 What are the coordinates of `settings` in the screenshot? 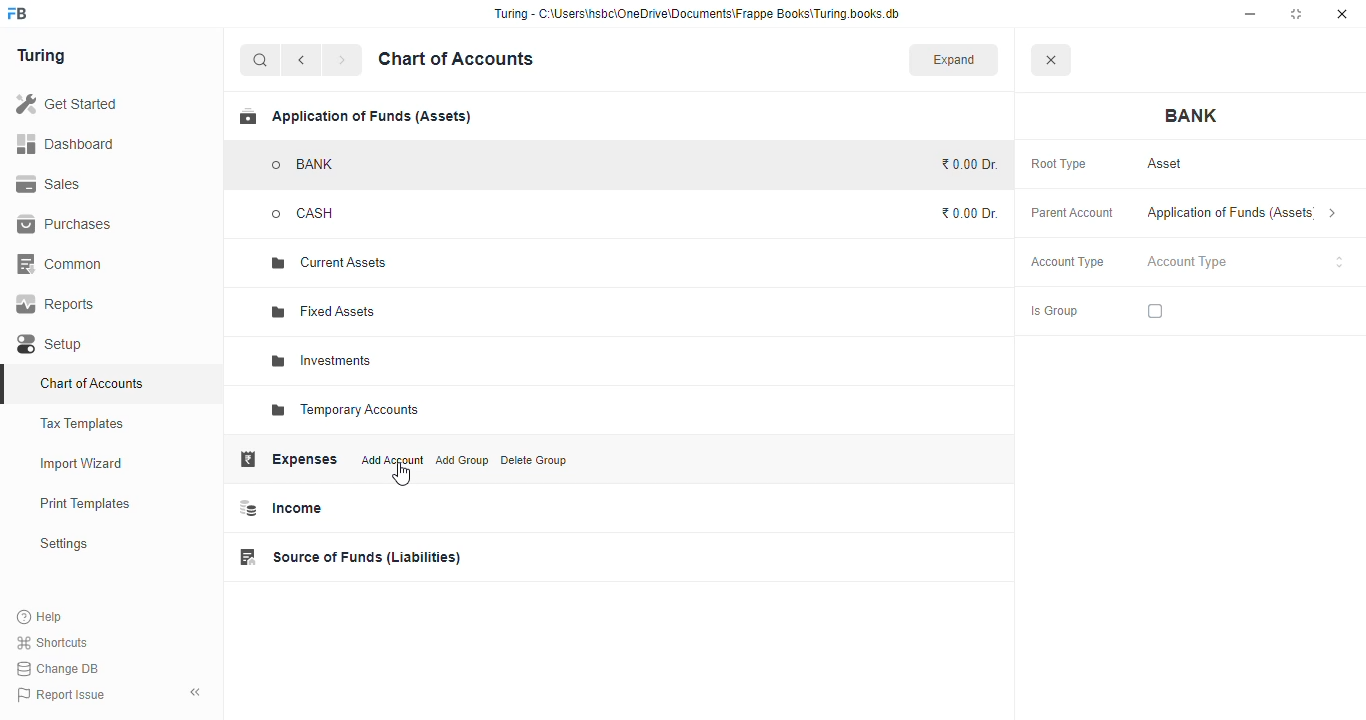 It's located at (63, 543).